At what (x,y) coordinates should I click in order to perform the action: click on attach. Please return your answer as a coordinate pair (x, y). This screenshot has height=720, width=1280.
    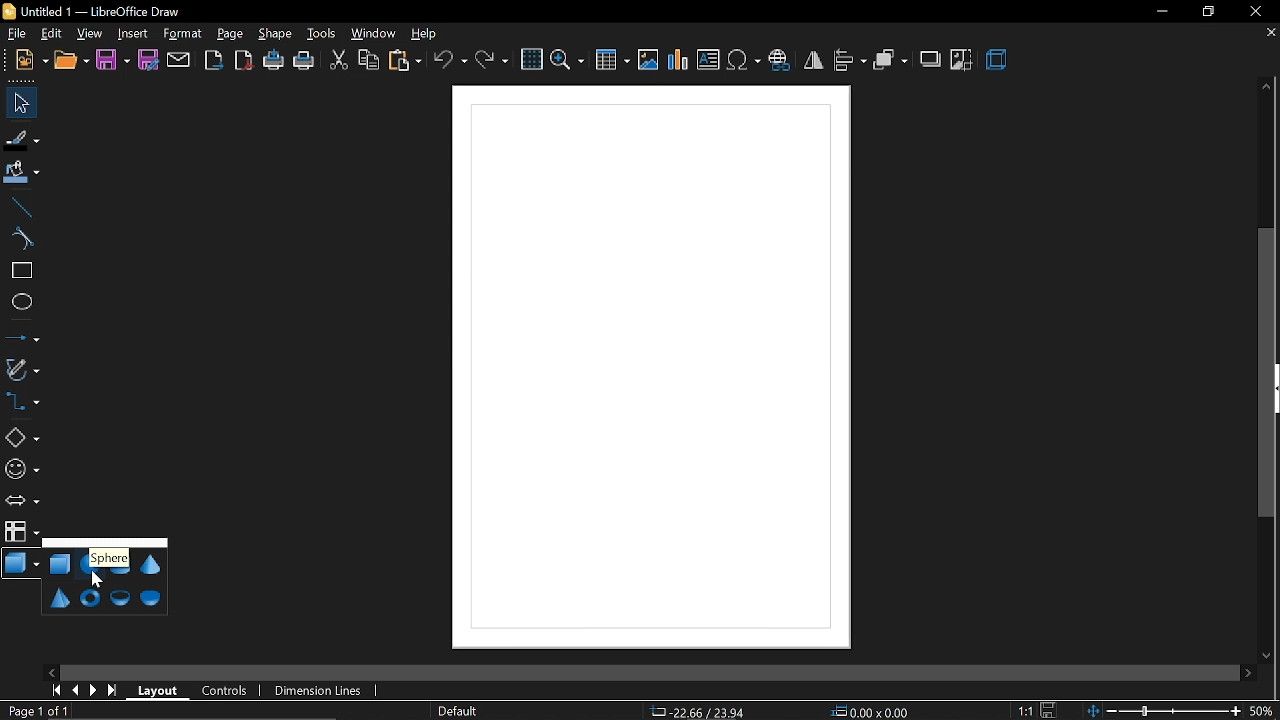
    Looking at the image, I should click on (179, 61).